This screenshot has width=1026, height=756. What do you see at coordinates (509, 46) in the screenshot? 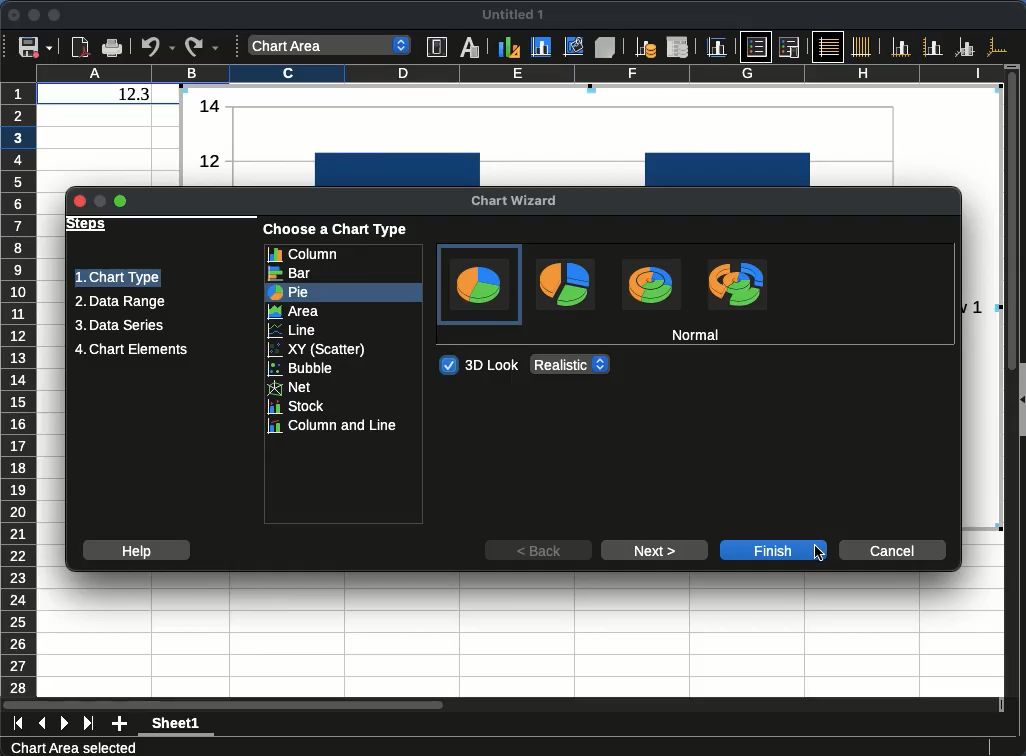
I see `Chart type` at bounding box center [509, 46].